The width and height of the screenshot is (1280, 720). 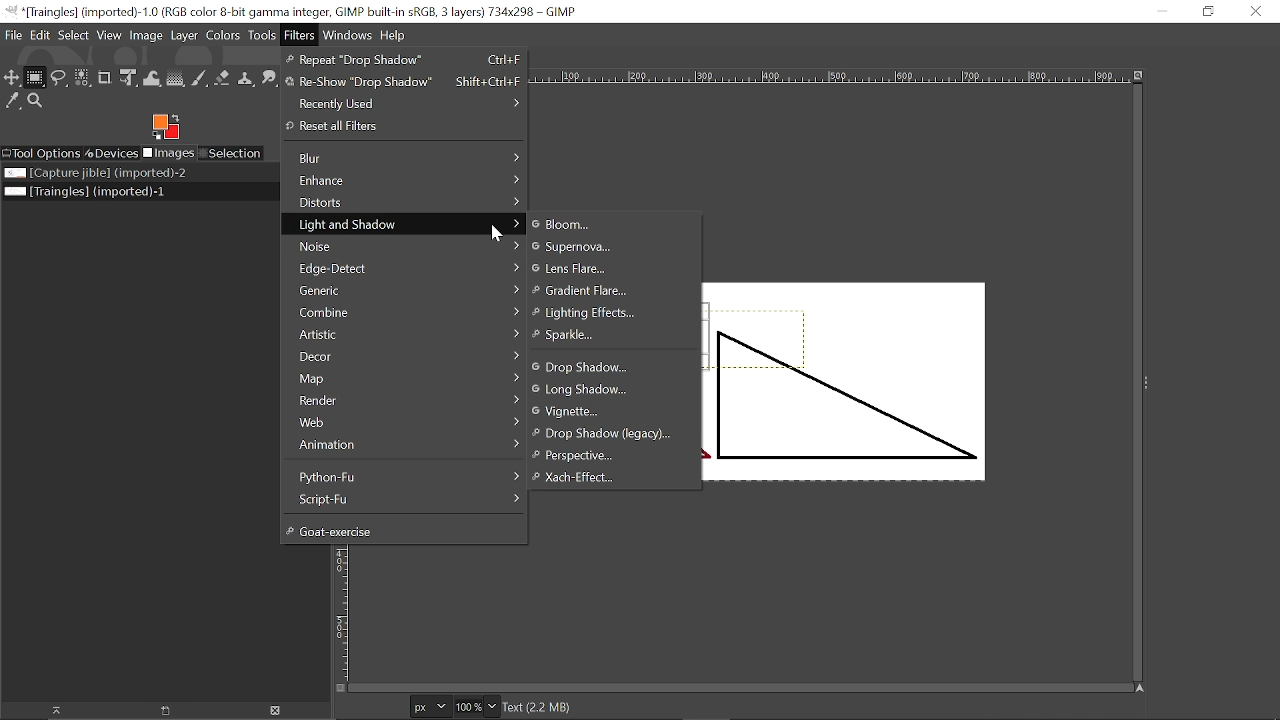 I want to click on Crop tool, so click(x=106, y=79).